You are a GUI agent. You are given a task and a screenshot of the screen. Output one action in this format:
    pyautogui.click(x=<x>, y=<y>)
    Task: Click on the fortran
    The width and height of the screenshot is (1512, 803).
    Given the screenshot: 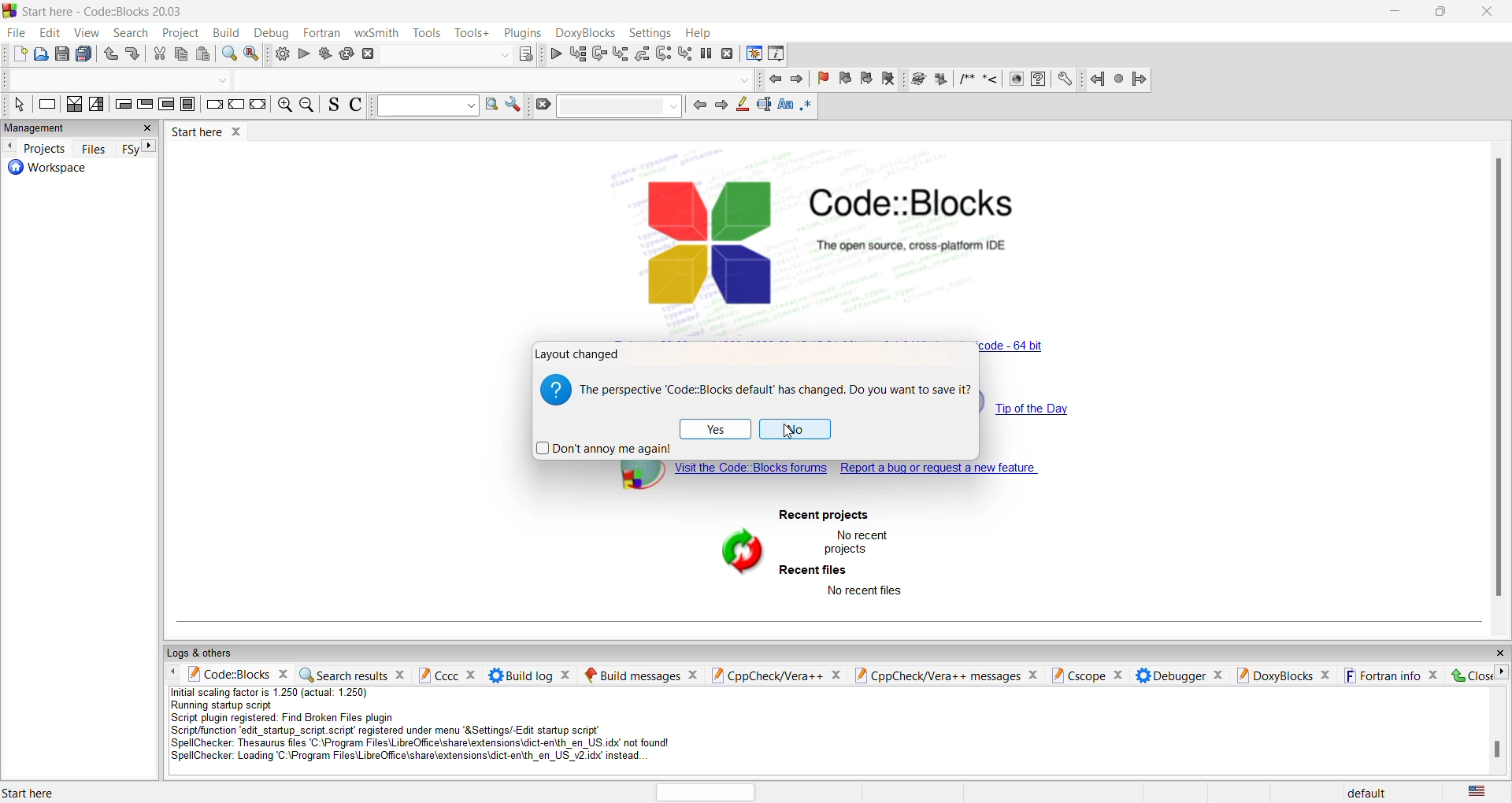 What is the action you would take?
    pyautogui.click(x=319, y=31)
    